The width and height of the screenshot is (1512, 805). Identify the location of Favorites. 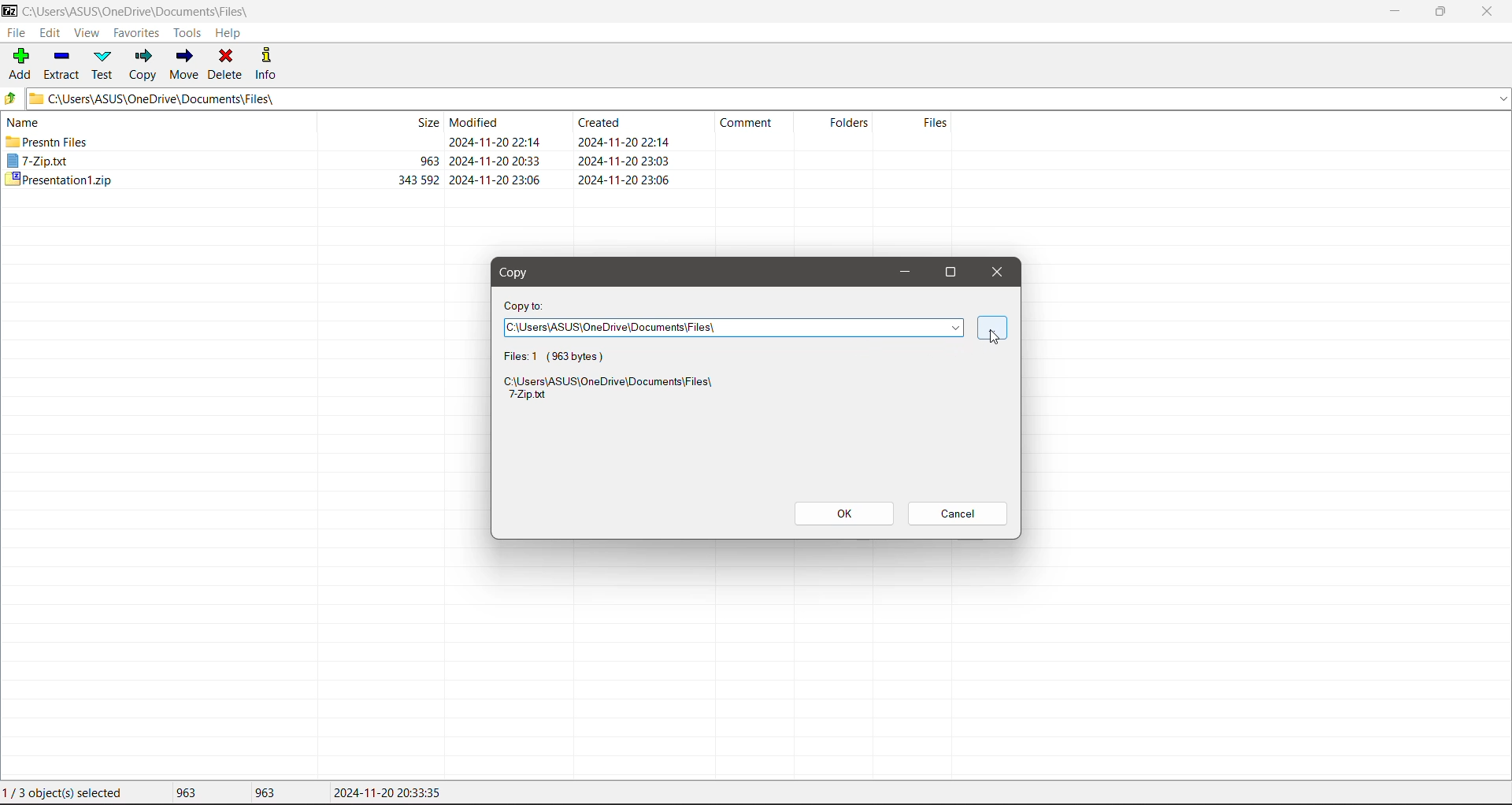
(135, 32).